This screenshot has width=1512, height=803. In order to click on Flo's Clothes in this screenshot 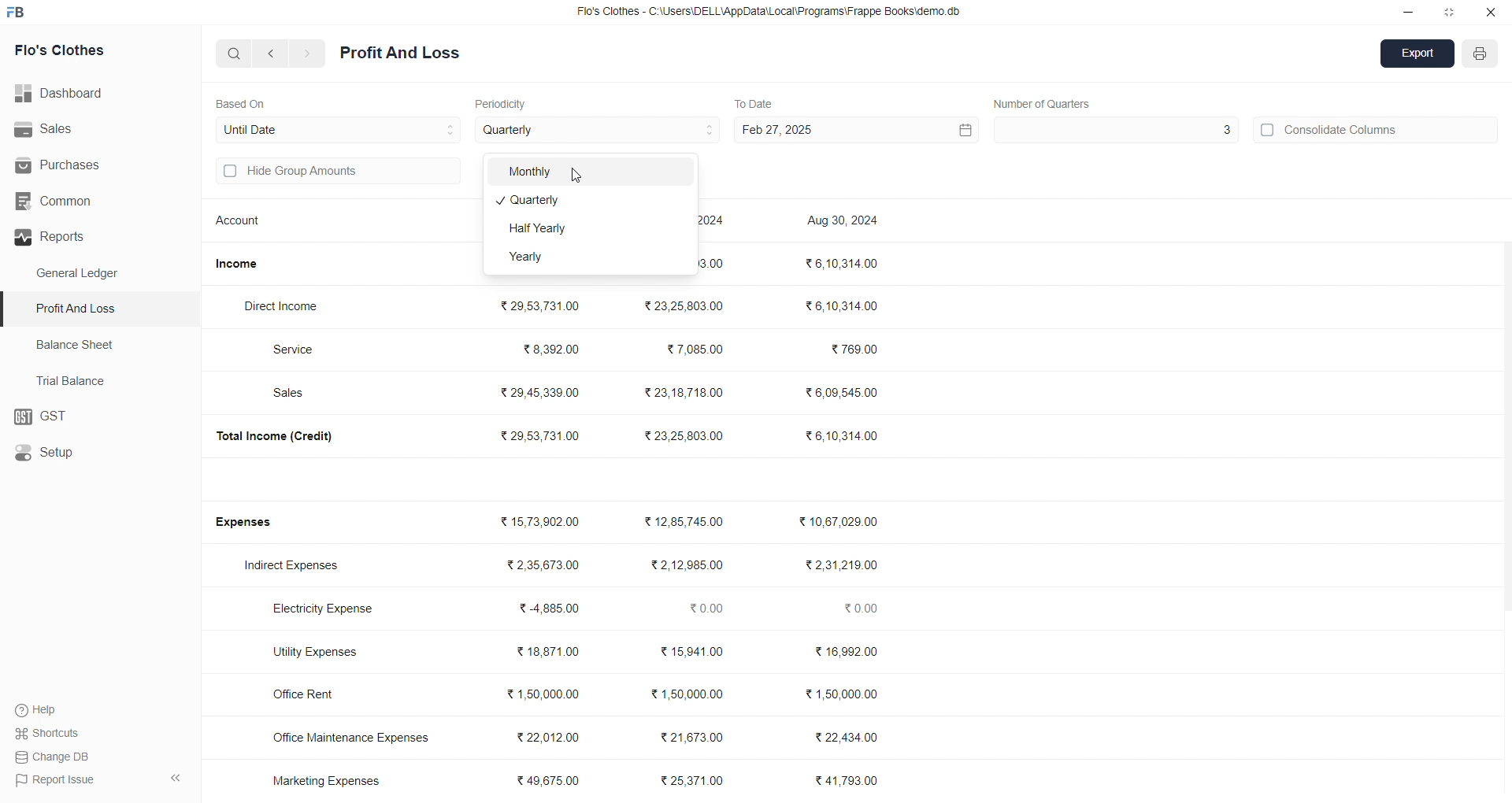, I will do `click(80, 51)`.